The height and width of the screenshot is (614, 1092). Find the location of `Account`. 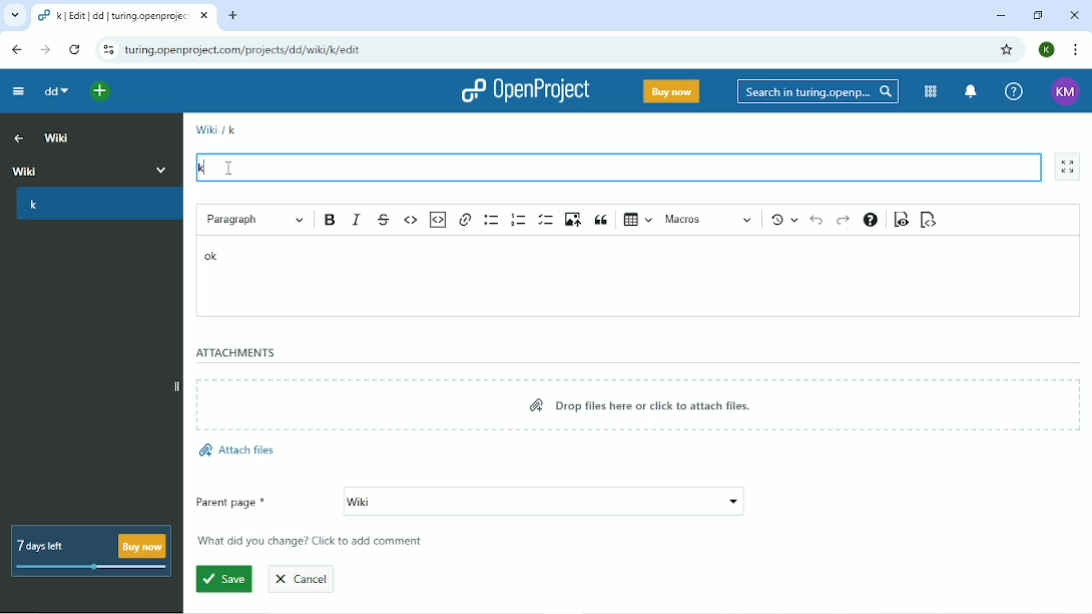

Account is located at coordinates (1047, 49).